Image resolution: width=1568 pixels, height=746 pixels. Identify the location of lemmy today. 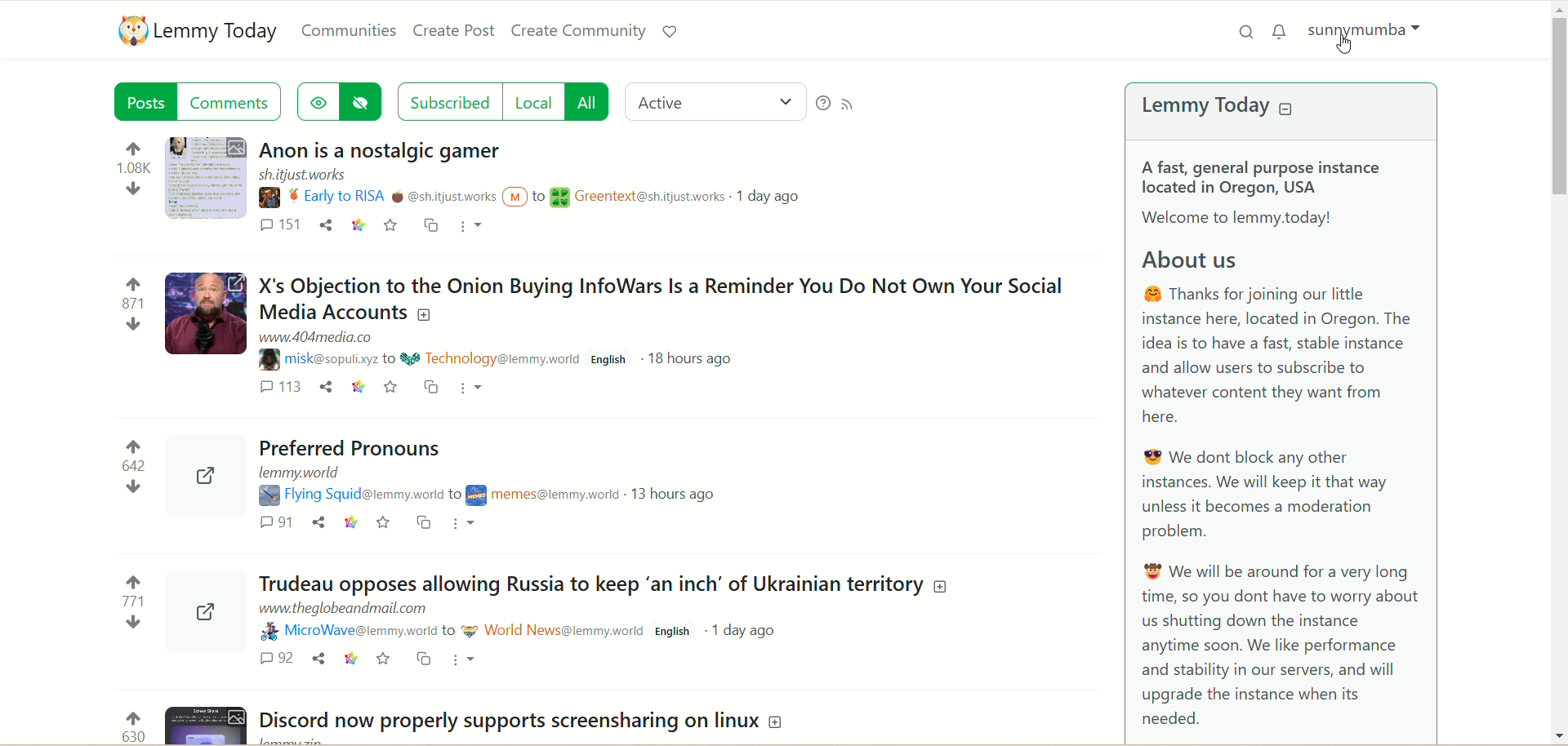
(1227, 107).